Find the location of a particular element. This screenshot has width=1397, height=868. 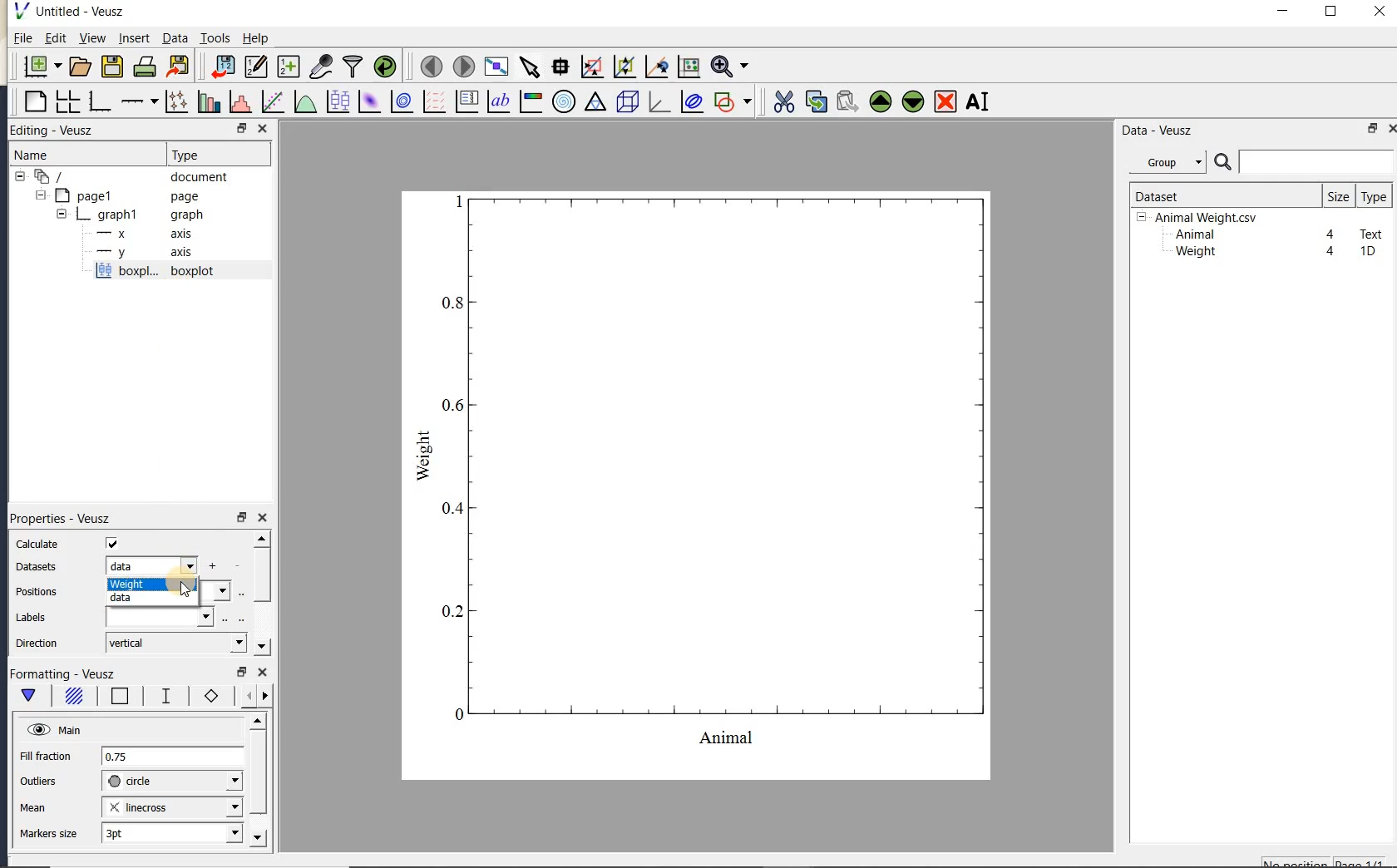

Tools is located at coordinates (216, 37).